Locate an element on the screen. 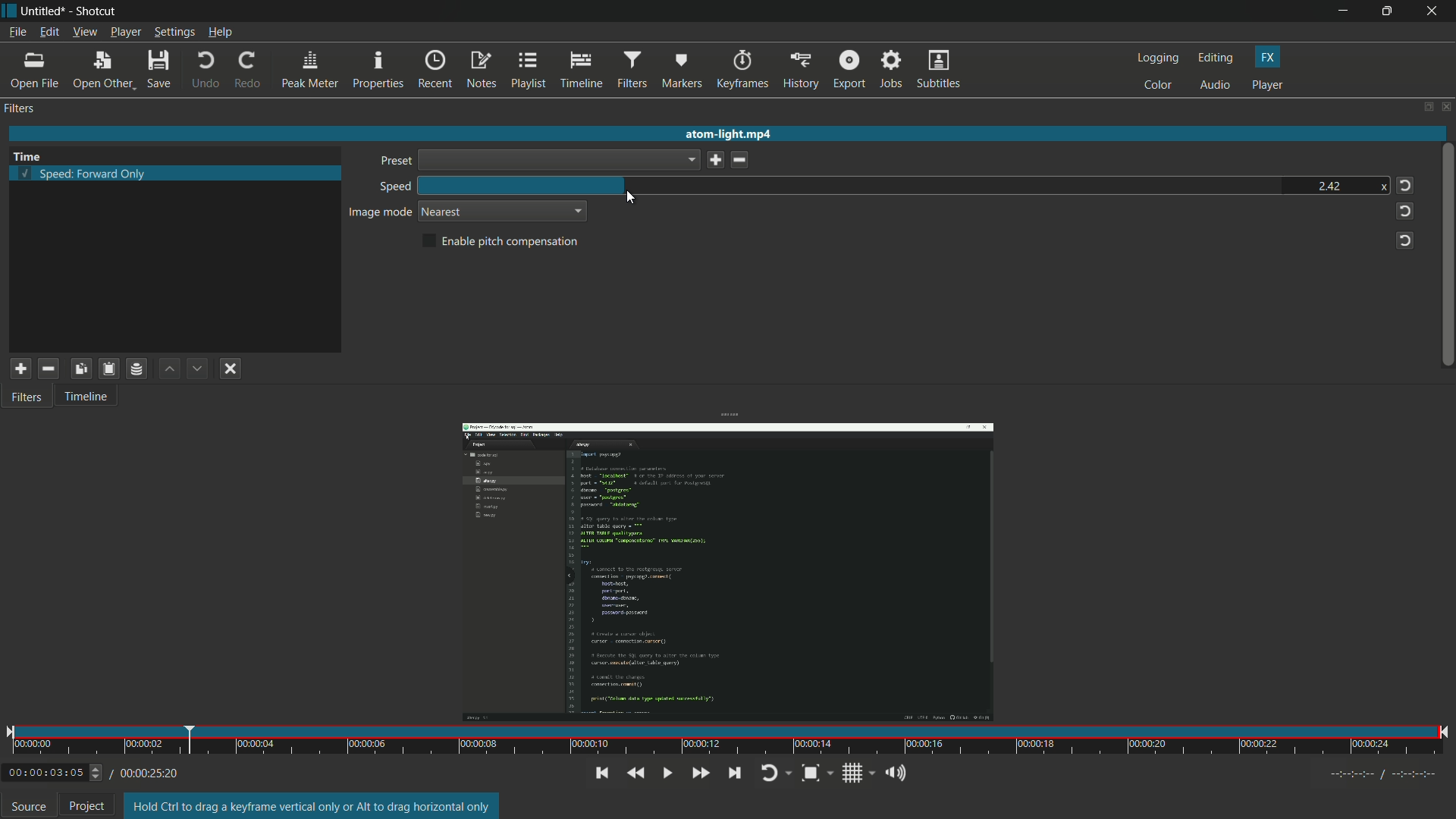 The width and height of the screenshot is (1456, 819). skip to the next point is located at coordinates (735, 773).